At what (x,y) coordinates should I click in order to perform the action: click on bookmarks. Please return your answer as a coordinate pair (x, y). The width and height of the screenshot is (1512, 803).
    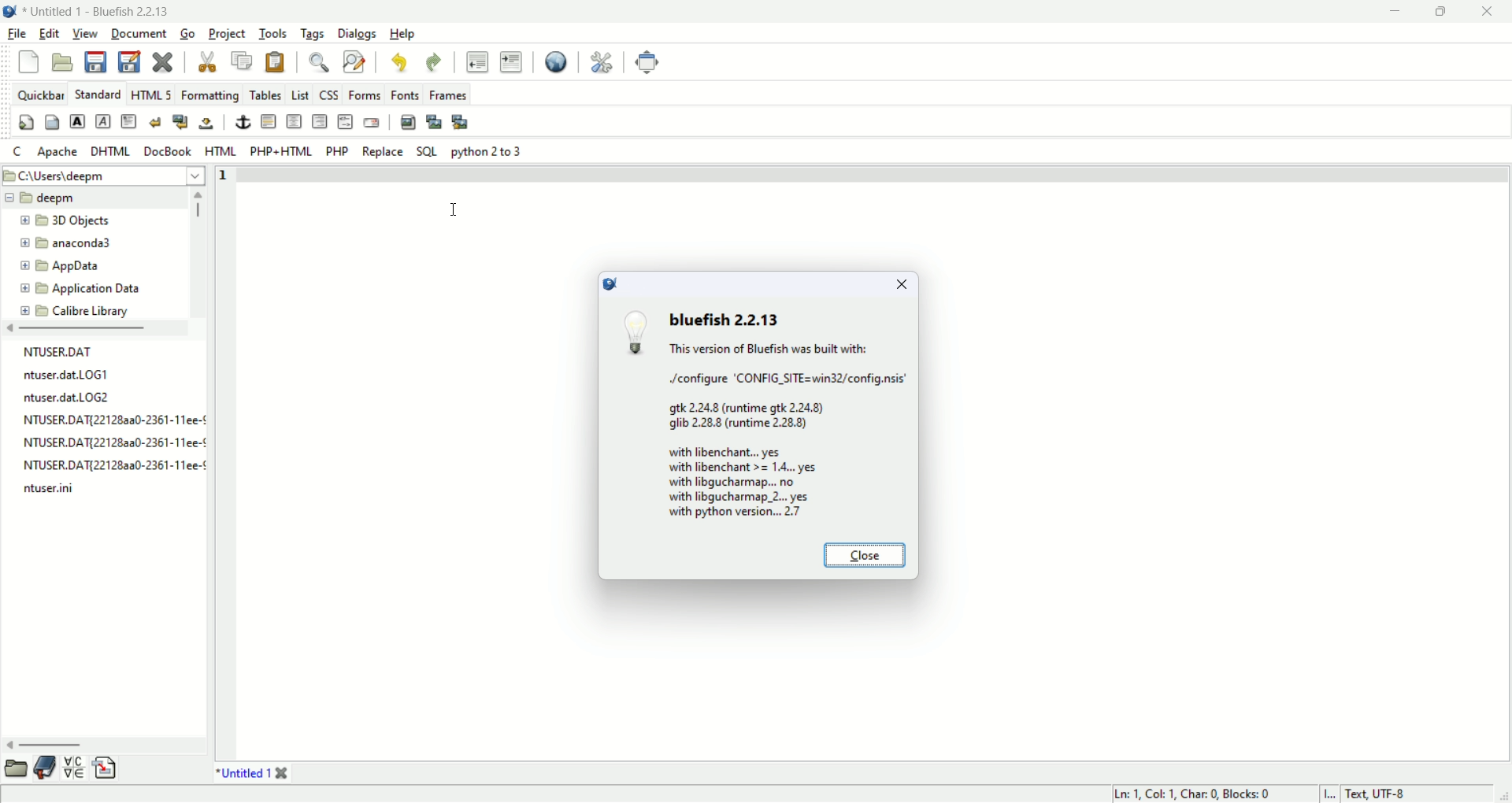
    Looking at the image, I should click on (45, 769).